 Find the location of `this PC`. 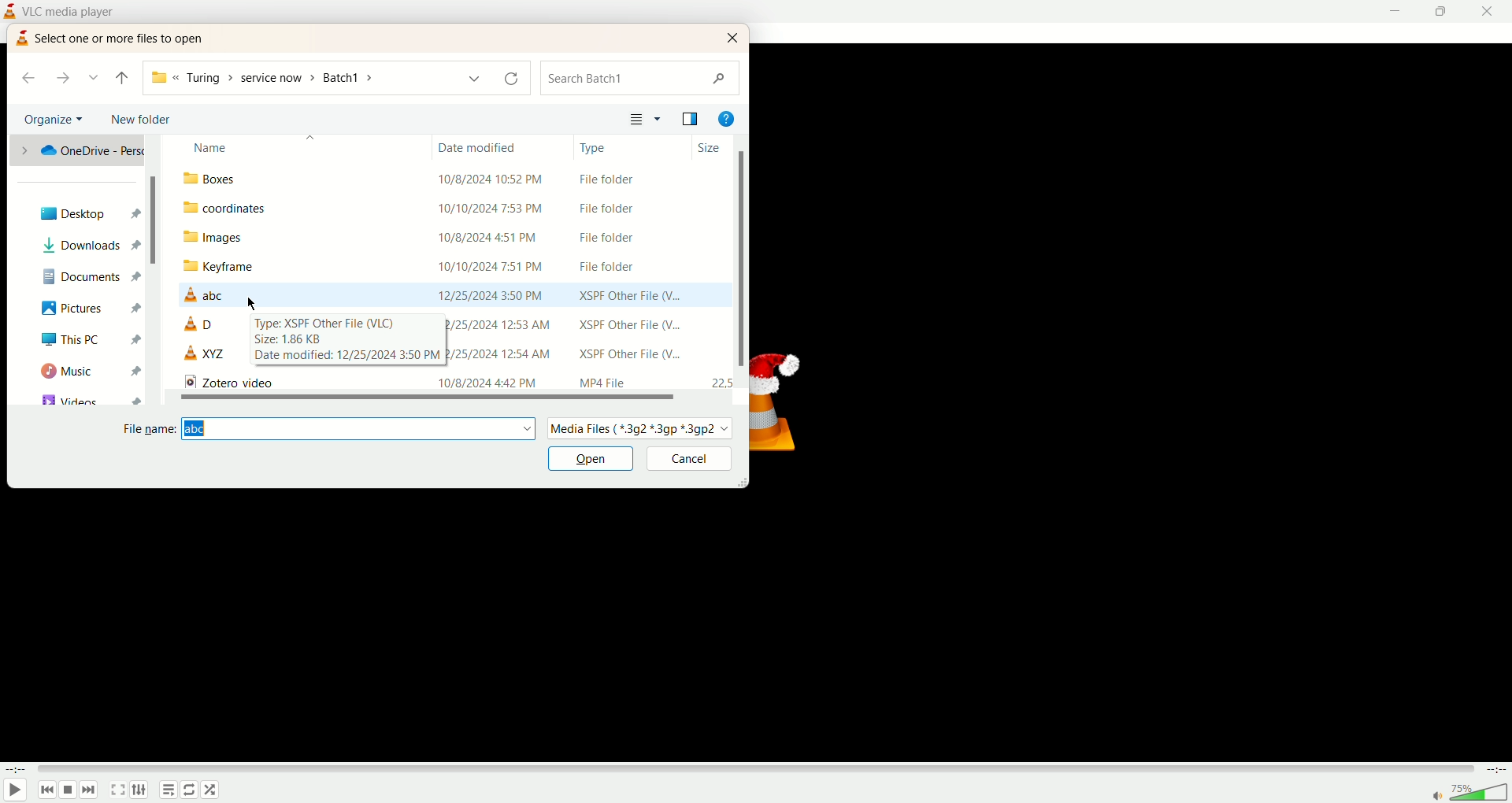

this PC is located at coordinates (87, 339).